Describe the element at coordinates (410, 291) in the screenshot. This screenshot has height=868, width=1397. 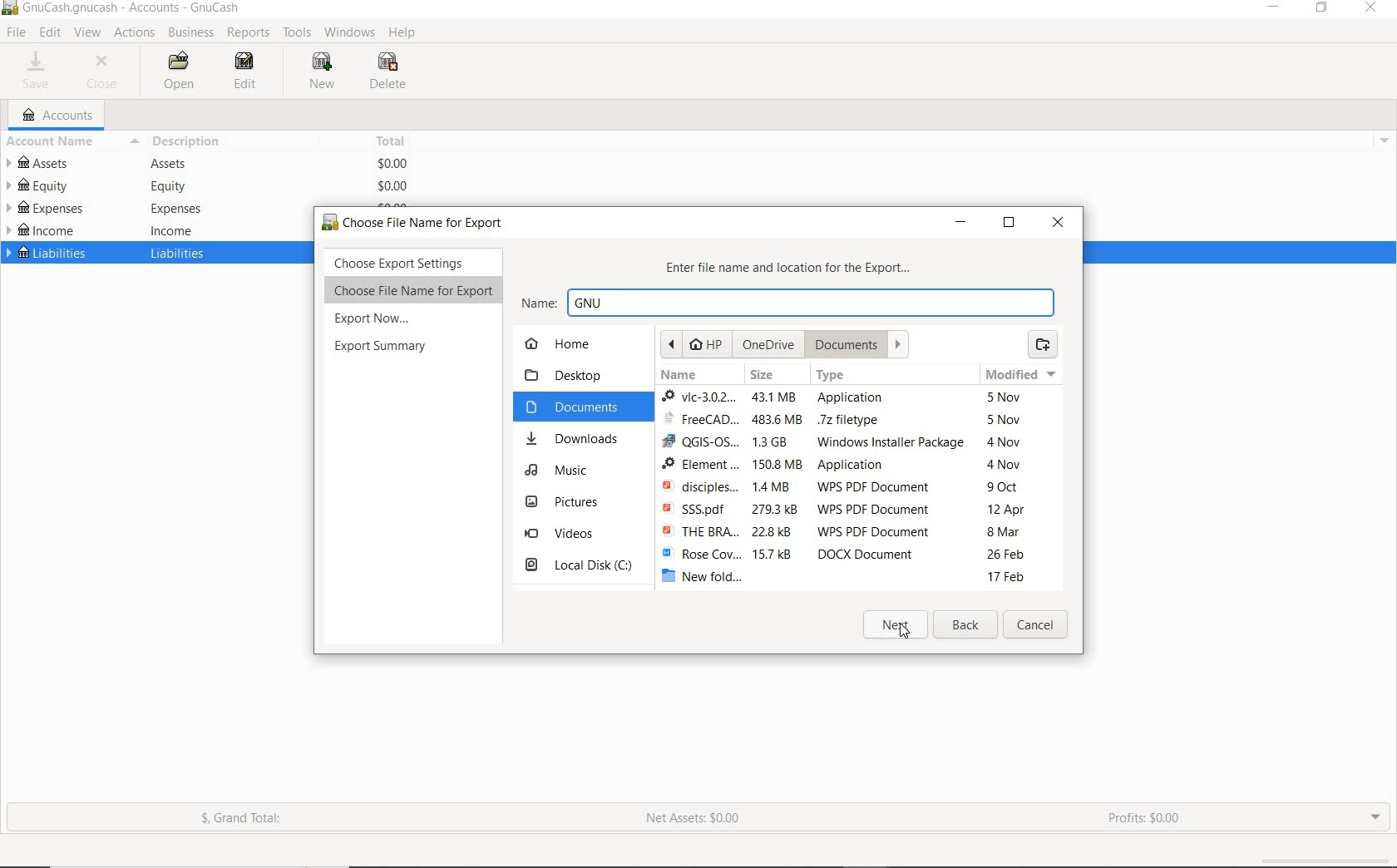
I see `choose File Name for Export` at that location.